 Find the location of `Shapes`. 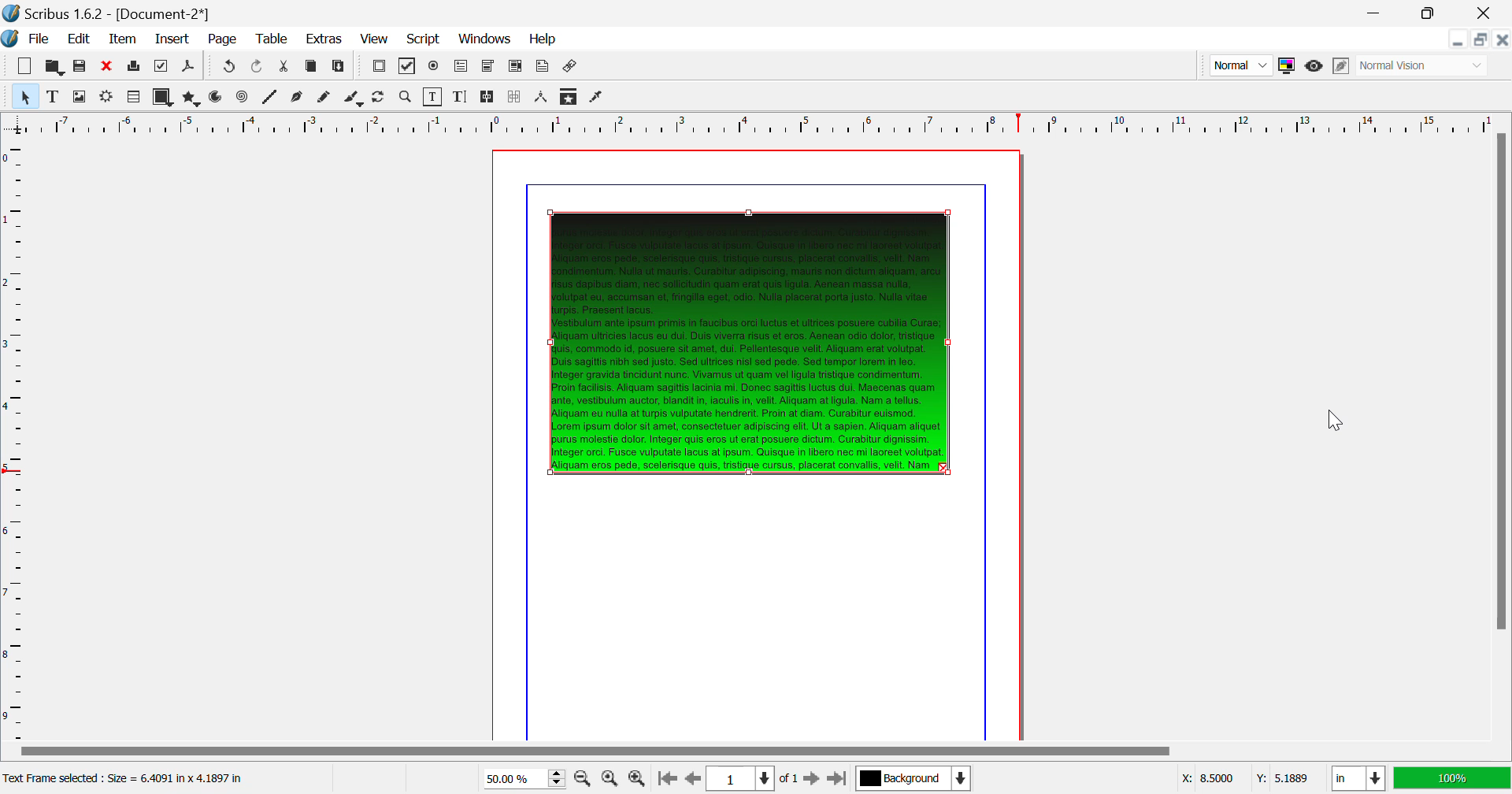

Shapes is located at coordinates (162, 97).